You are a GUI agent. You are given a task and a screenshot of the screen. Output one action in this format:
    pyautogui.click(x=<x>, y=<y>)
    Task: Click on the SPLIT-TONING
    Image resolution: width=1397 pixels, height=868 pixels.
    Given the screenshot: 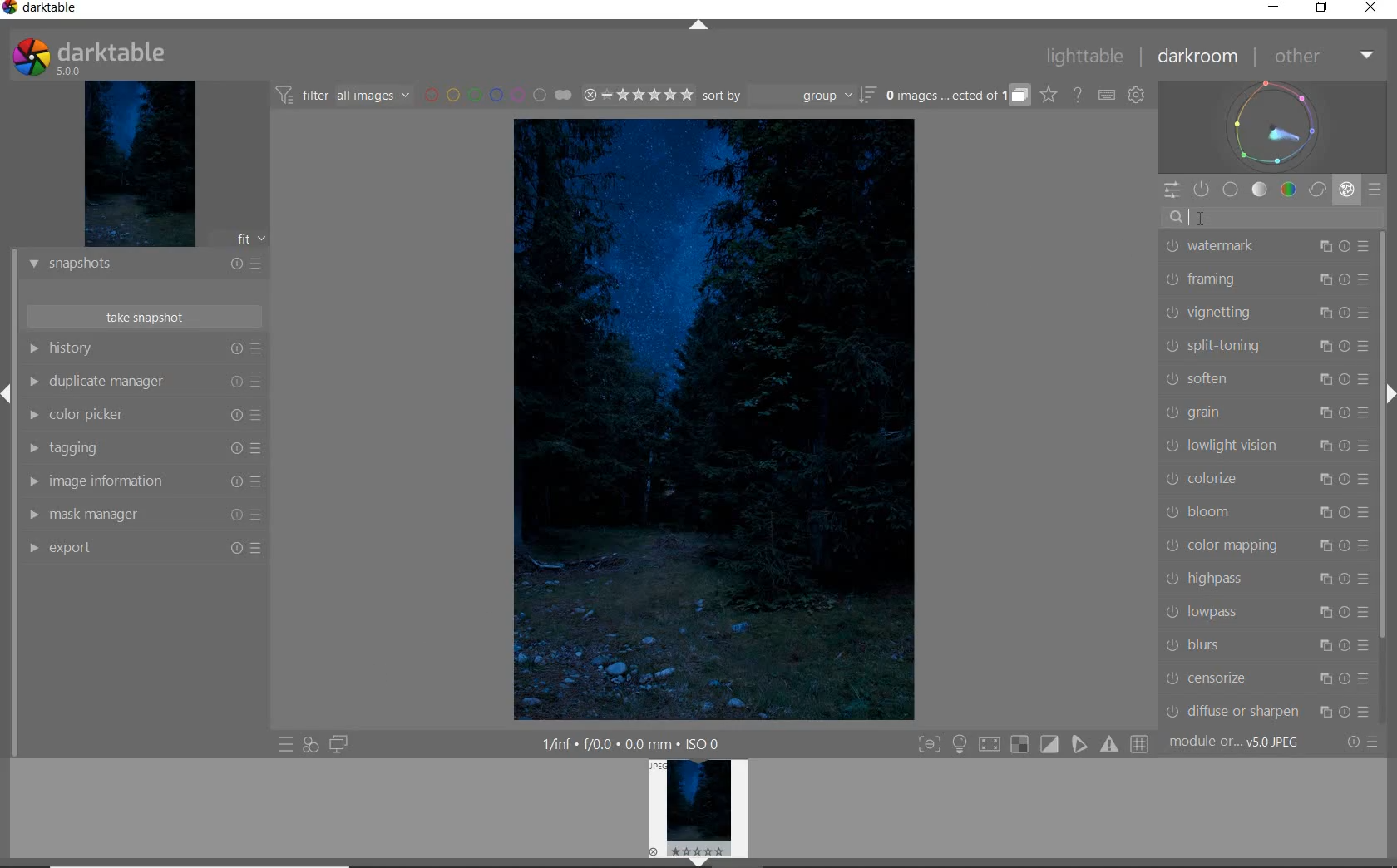 What is the action you would take?
    pyautogui.click(x=1265, y=347)
    